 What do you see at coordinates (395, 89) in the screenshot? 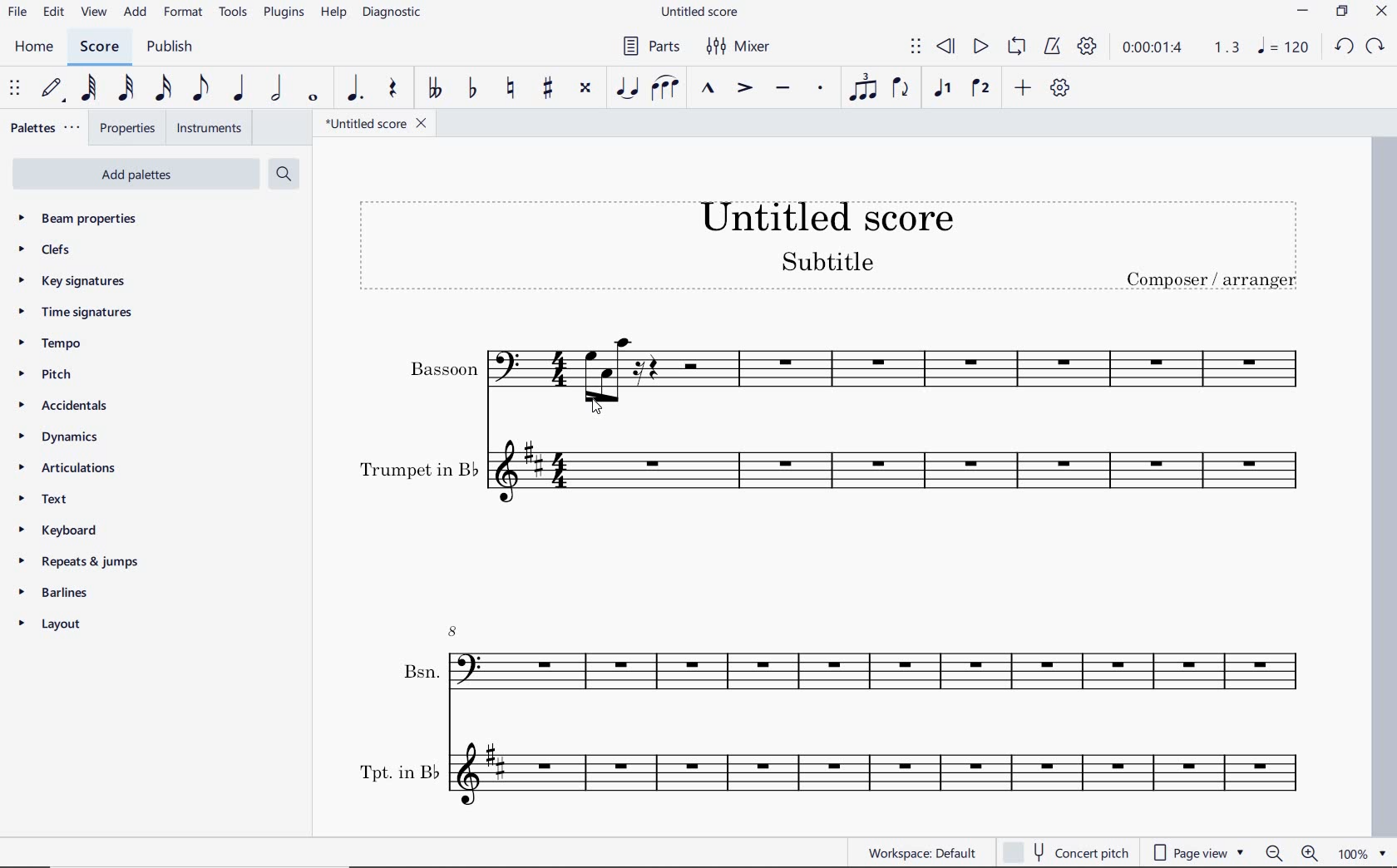
I see `rest` at bounding box center [395, 89].